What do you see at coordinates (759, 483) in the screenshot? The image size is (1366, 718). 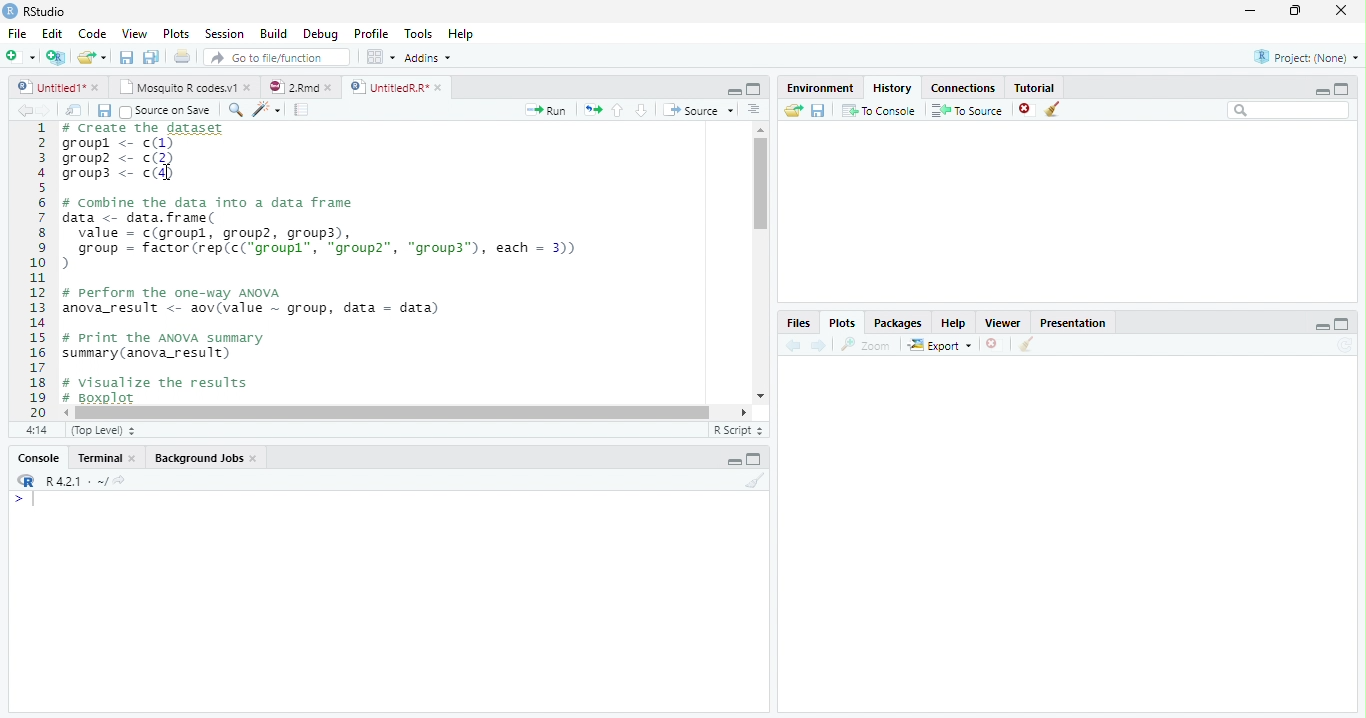 I see `Clear console` at bounding box center [759, 483].